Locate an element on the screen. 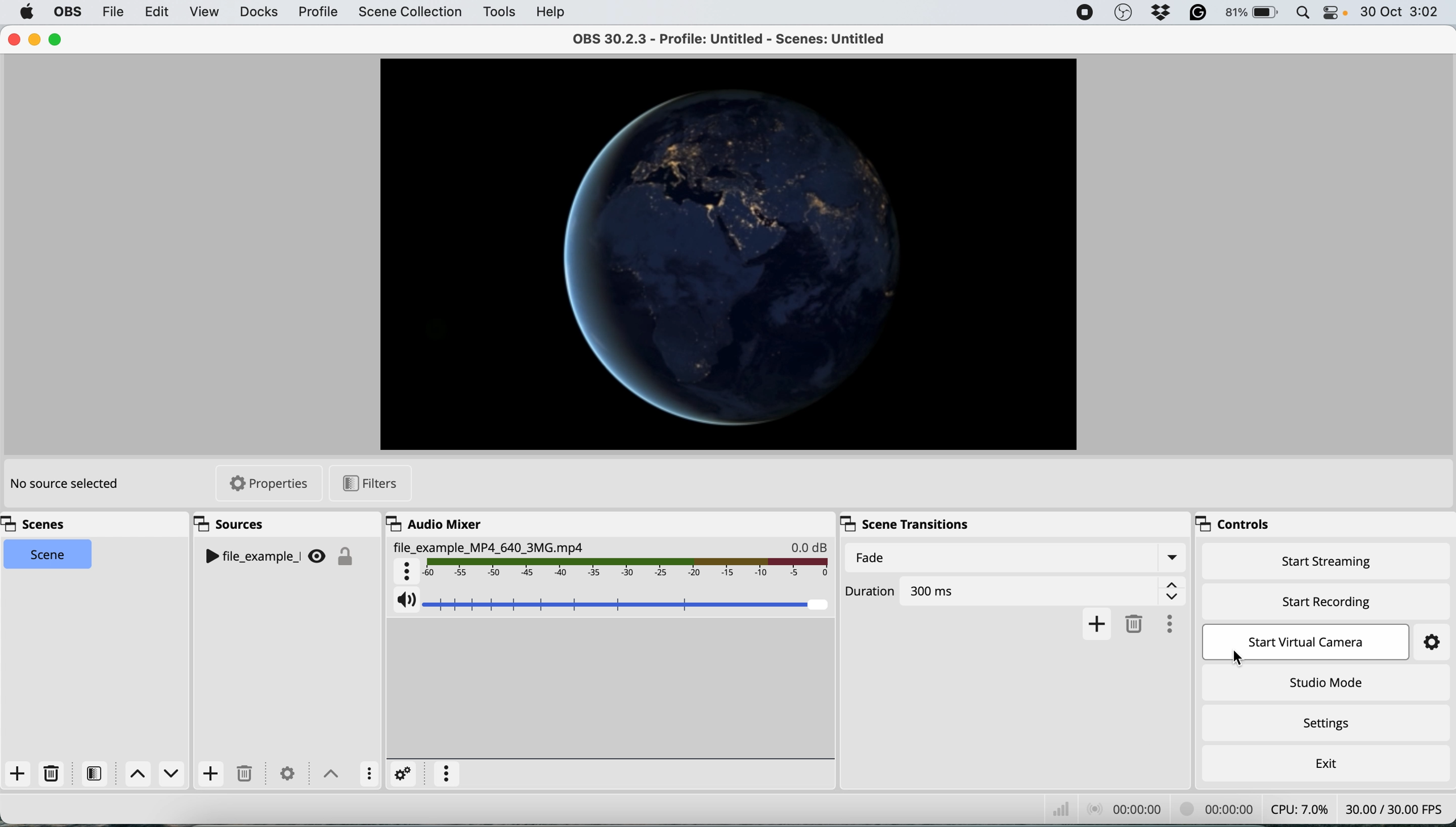 The width and height of the screenshot is (1456, 827). settings is located at coordinates (1333, 724).